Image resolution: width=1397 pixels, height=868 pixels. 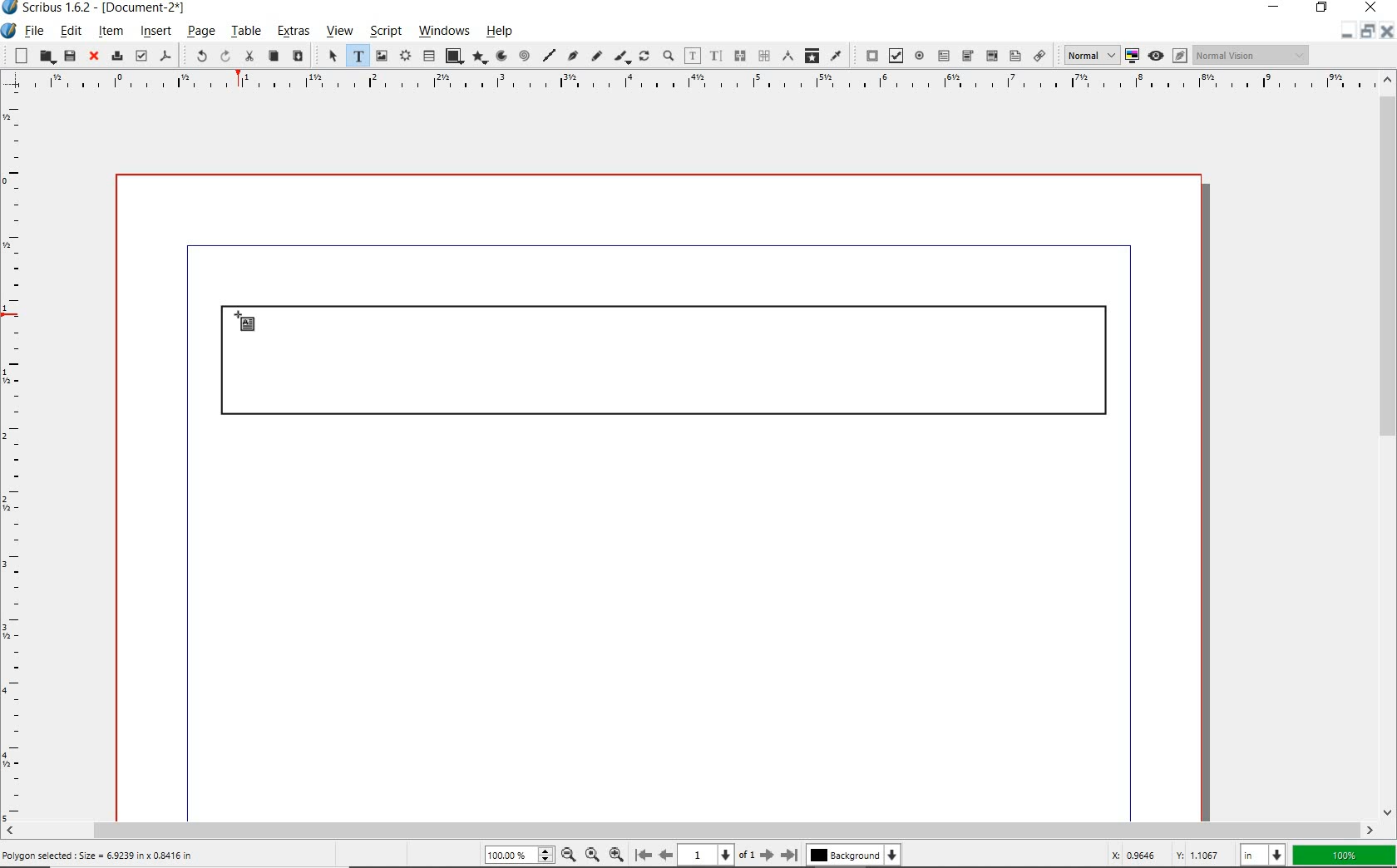 I want to click on pdf list box, so click(x=1014, y=55).